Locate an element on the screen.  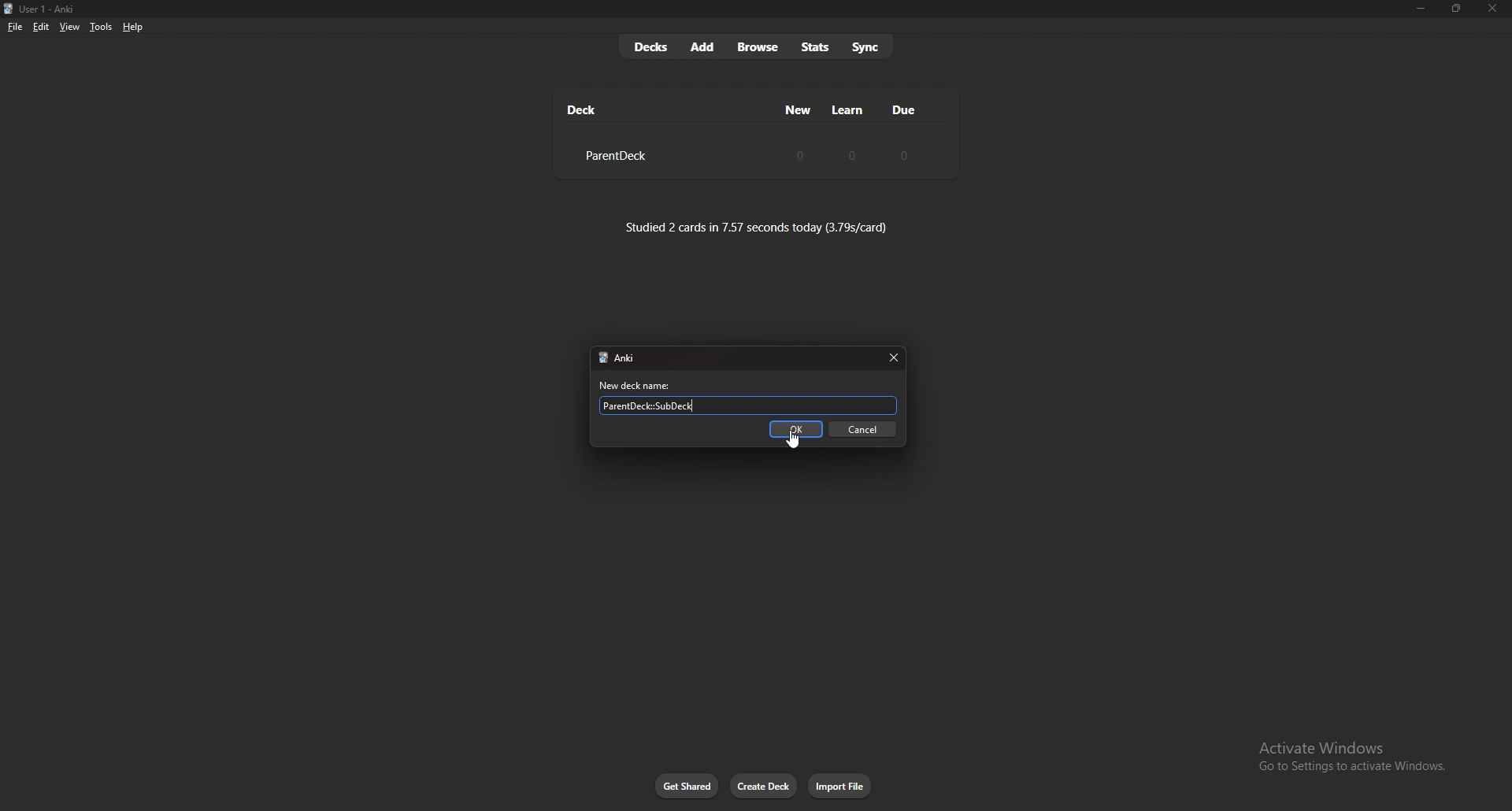
logo is located at coordinates (601, 358).